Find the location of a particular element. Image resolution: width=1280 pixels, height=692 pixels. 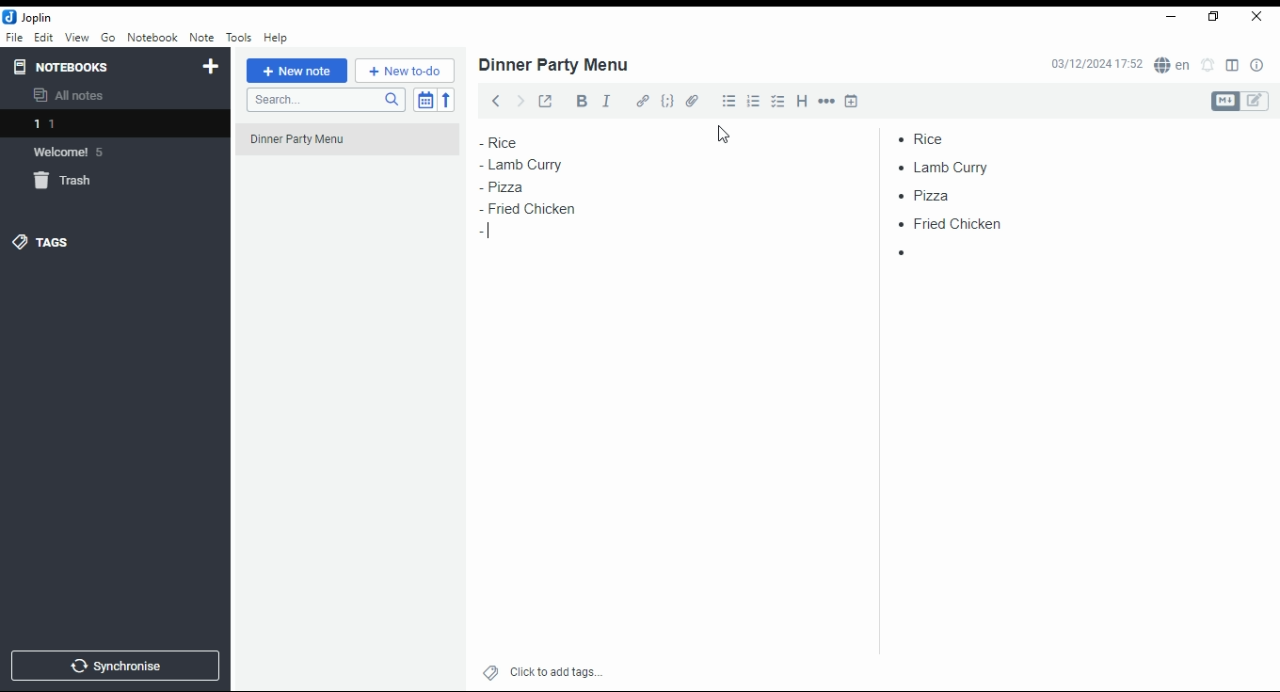

edit is located at coordinates (1257, 101).